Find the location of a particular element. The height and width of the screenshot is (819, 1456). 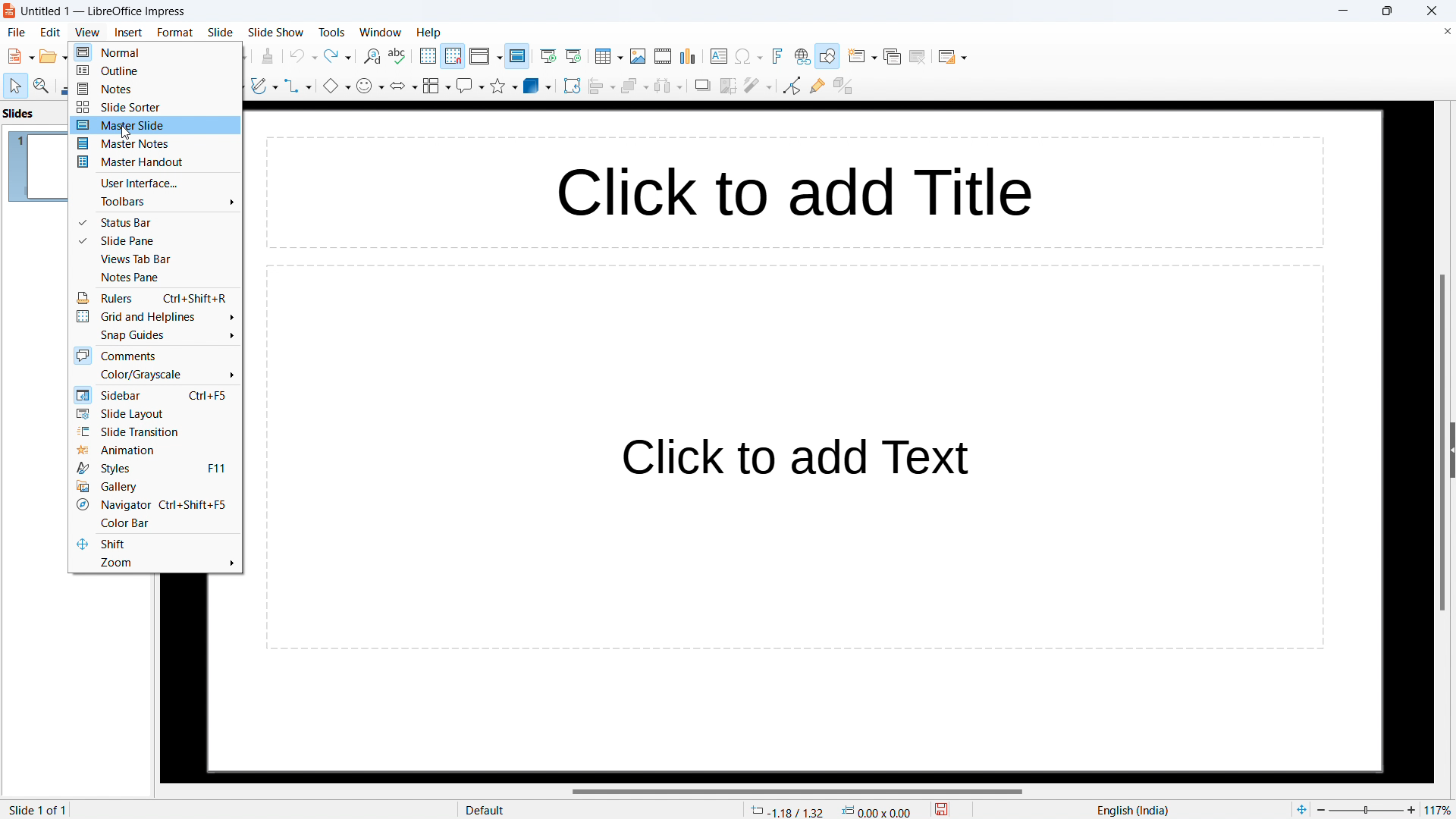

check spelling is located at coordinates (400, 57).